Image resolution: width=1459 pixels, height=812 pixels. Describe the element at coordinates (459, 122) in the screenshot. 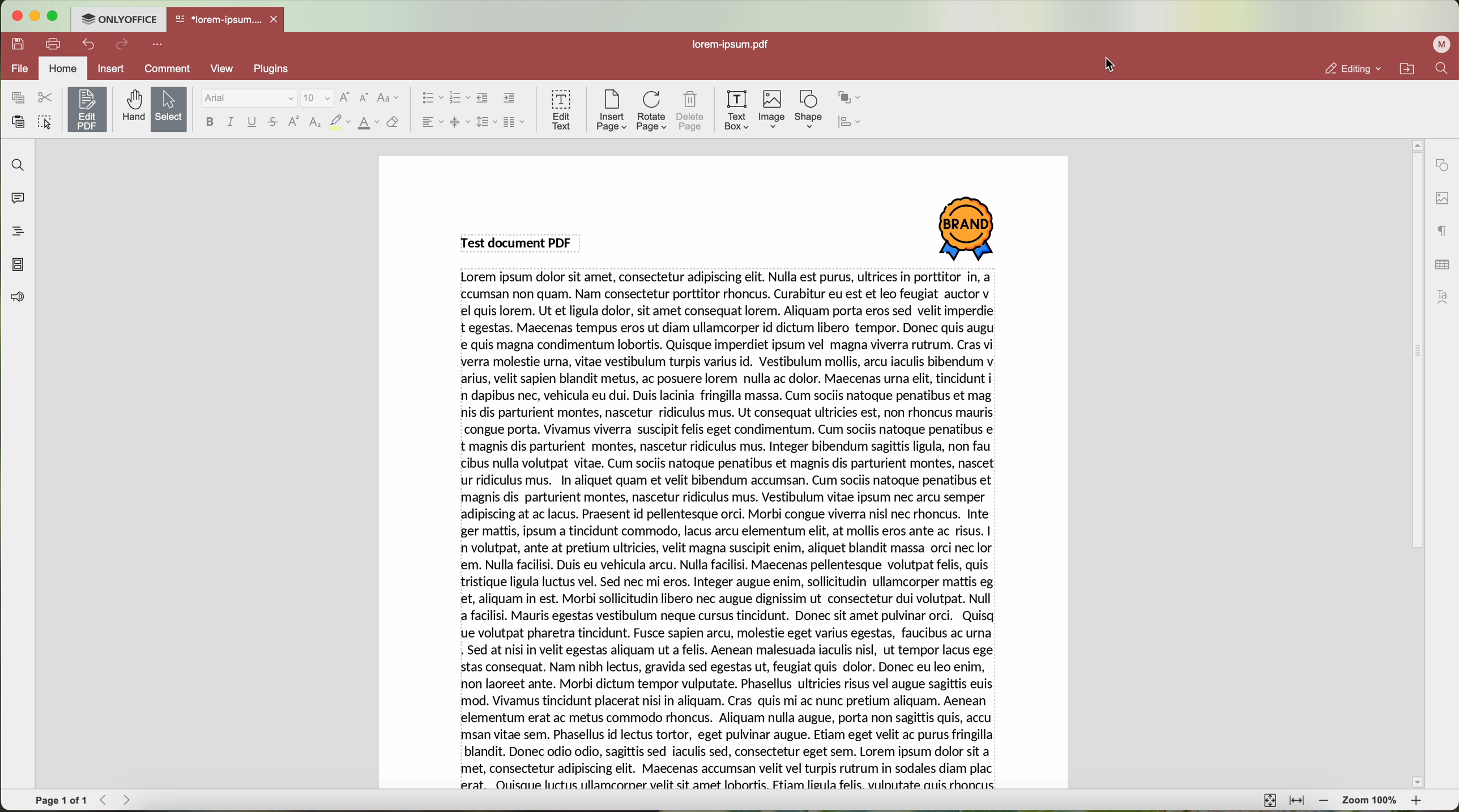

I see `vertical align` at that location.